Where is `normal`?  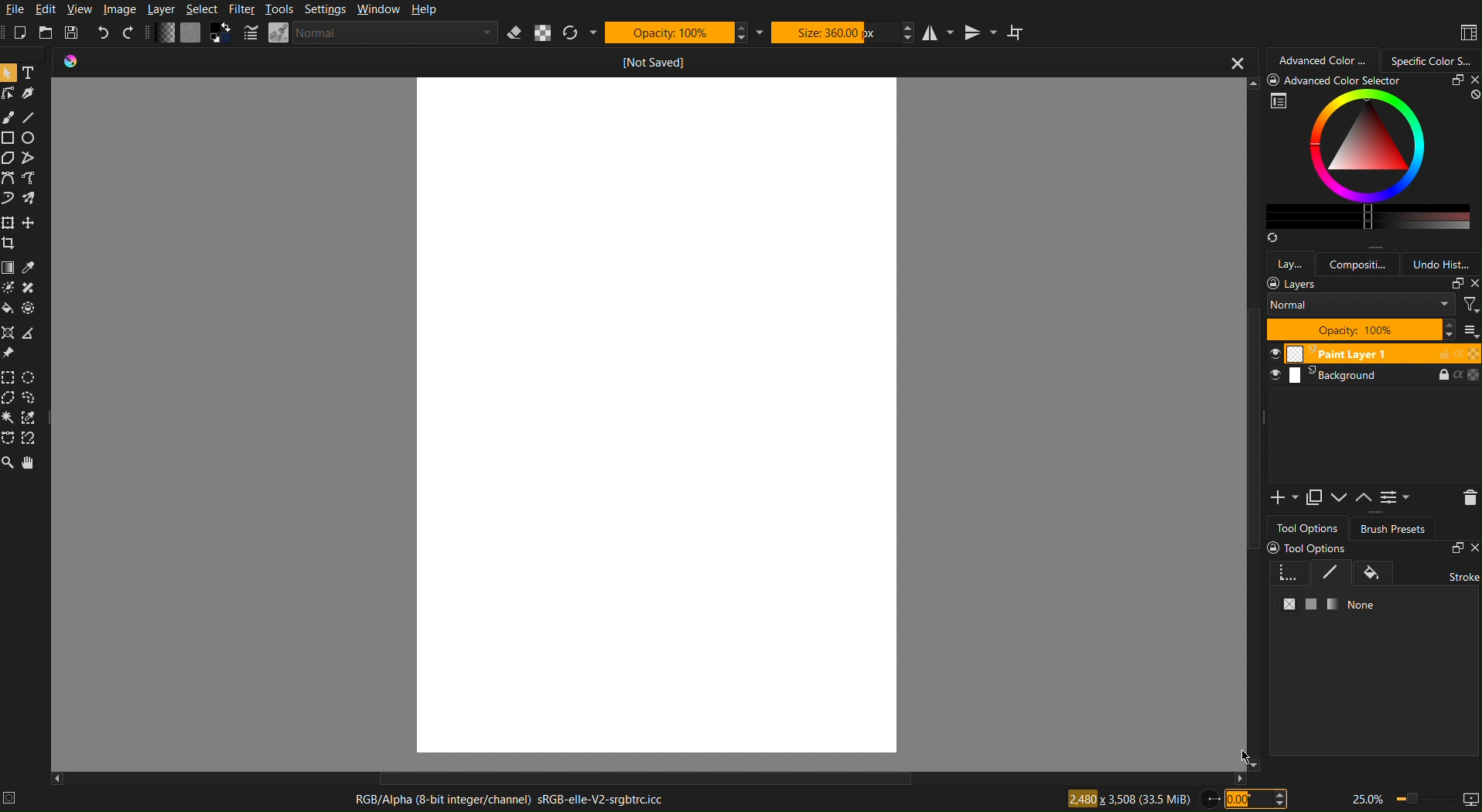
normal is located at coordinates (1361, 306).